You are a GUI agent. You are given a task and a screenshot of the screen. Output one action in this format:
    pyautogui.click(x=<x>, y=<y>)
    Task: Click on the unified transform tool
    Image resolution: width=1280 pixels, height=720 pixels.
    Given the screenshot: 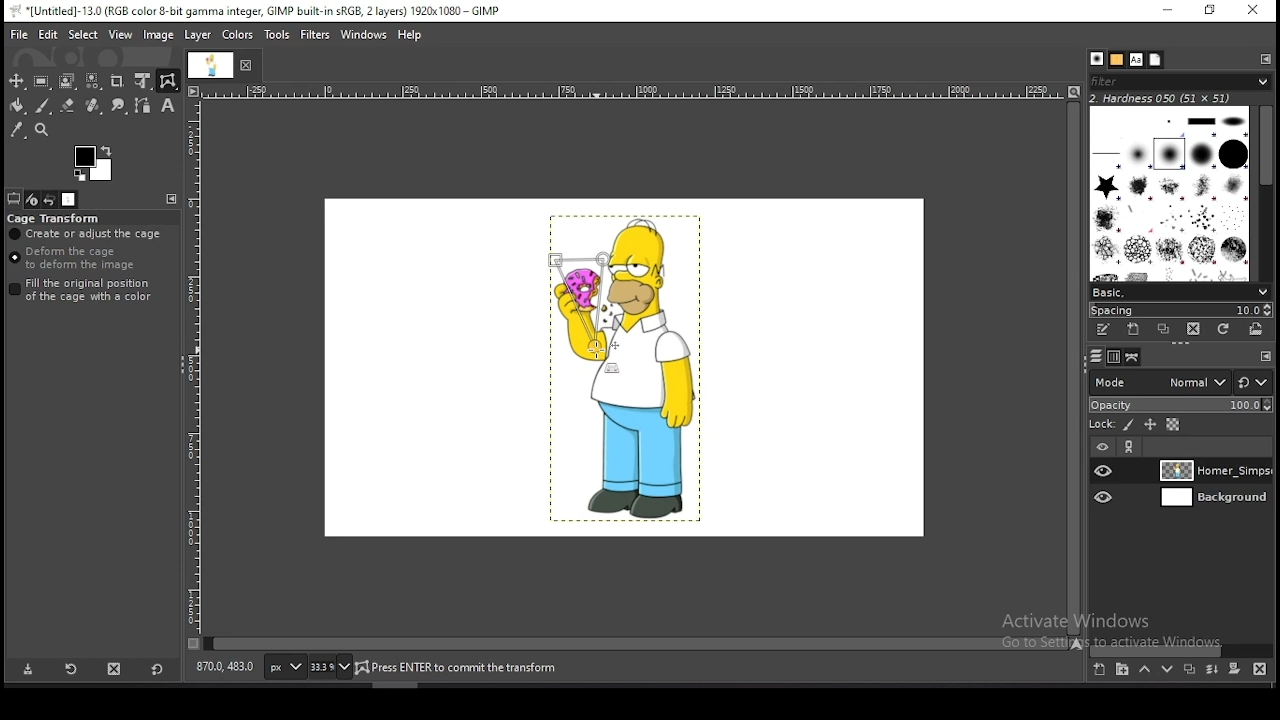 What is the action you would take?
    pyautogui.click(x=143, y=81)
    